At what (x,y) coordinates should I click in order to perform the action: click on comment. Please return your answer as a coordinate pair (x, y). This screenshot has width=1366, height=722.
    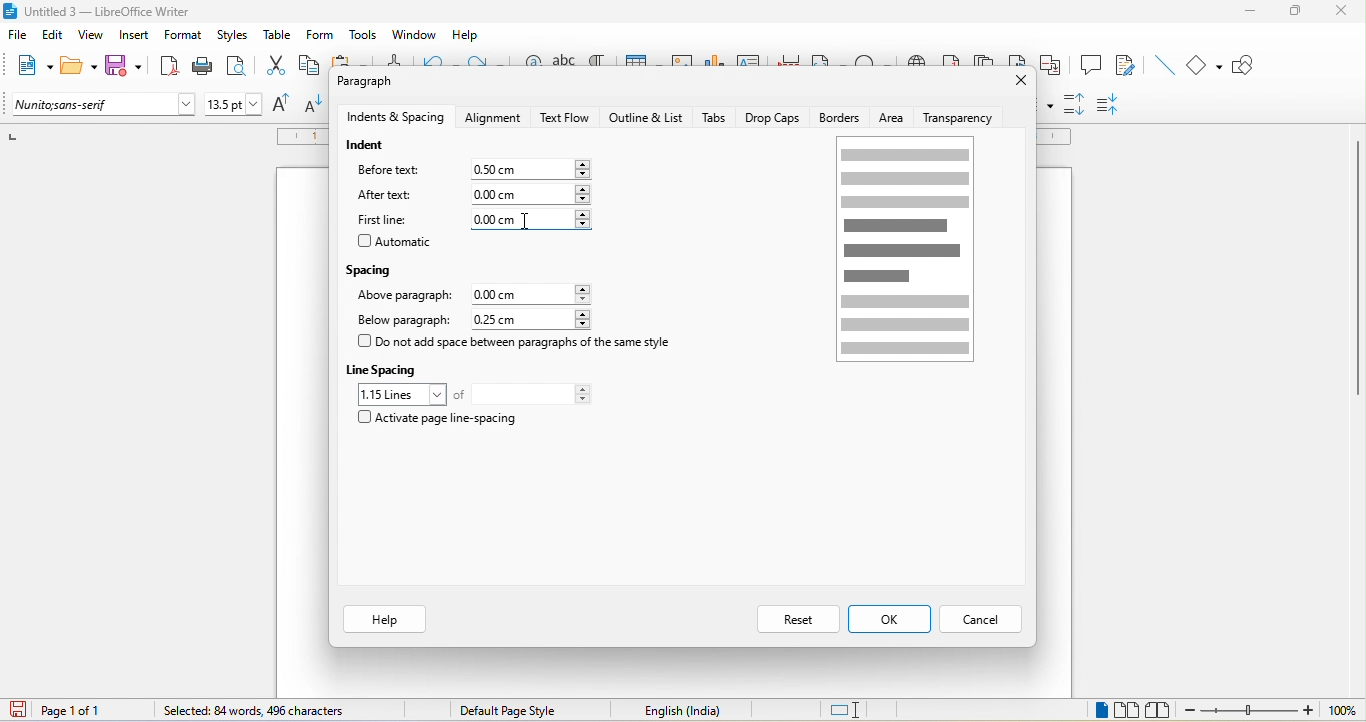
    Looking at the image, I should click on (1091, 63).